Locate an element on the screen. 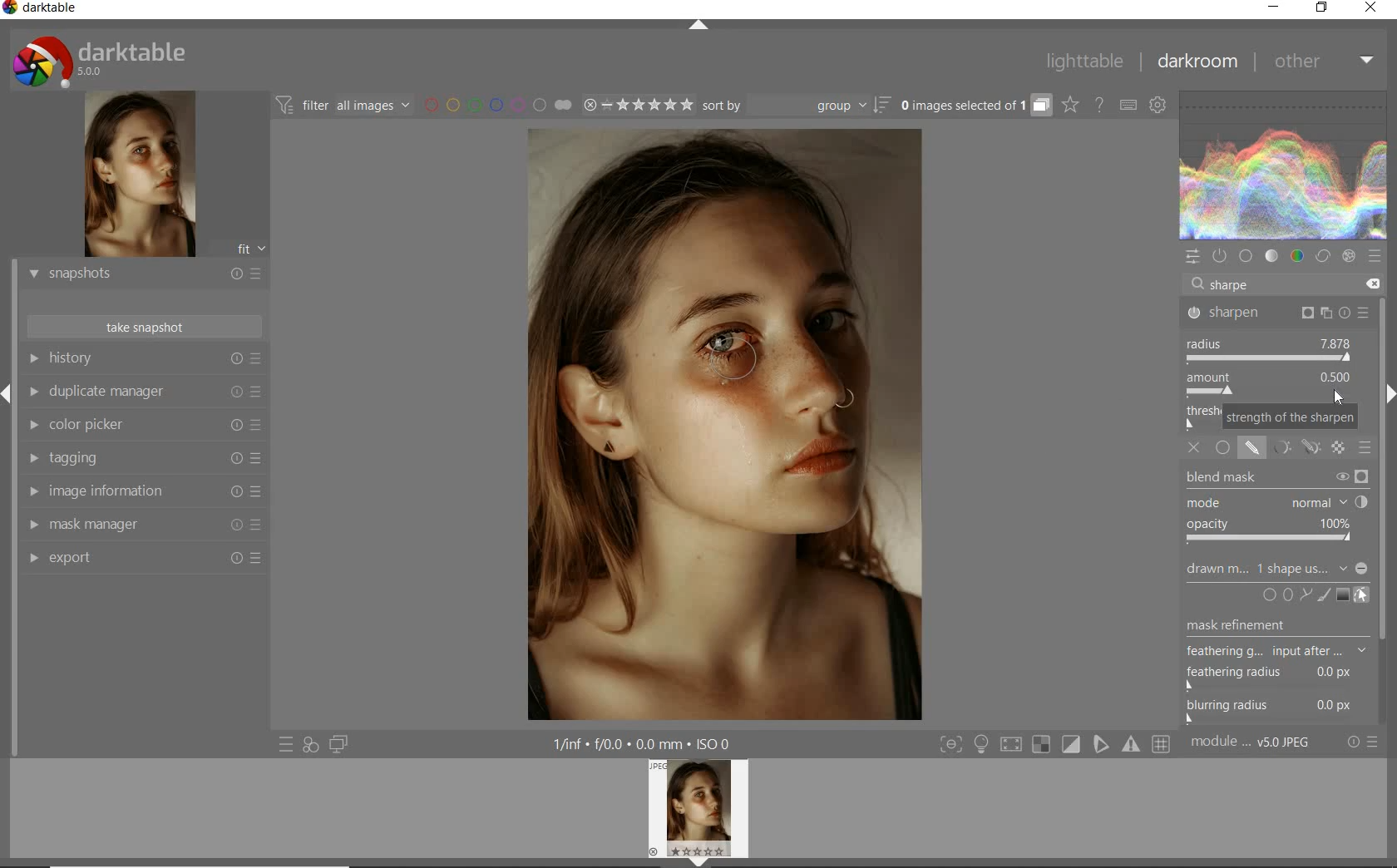  BLENDING OPTIONS is located at coordinates (1366, 447).